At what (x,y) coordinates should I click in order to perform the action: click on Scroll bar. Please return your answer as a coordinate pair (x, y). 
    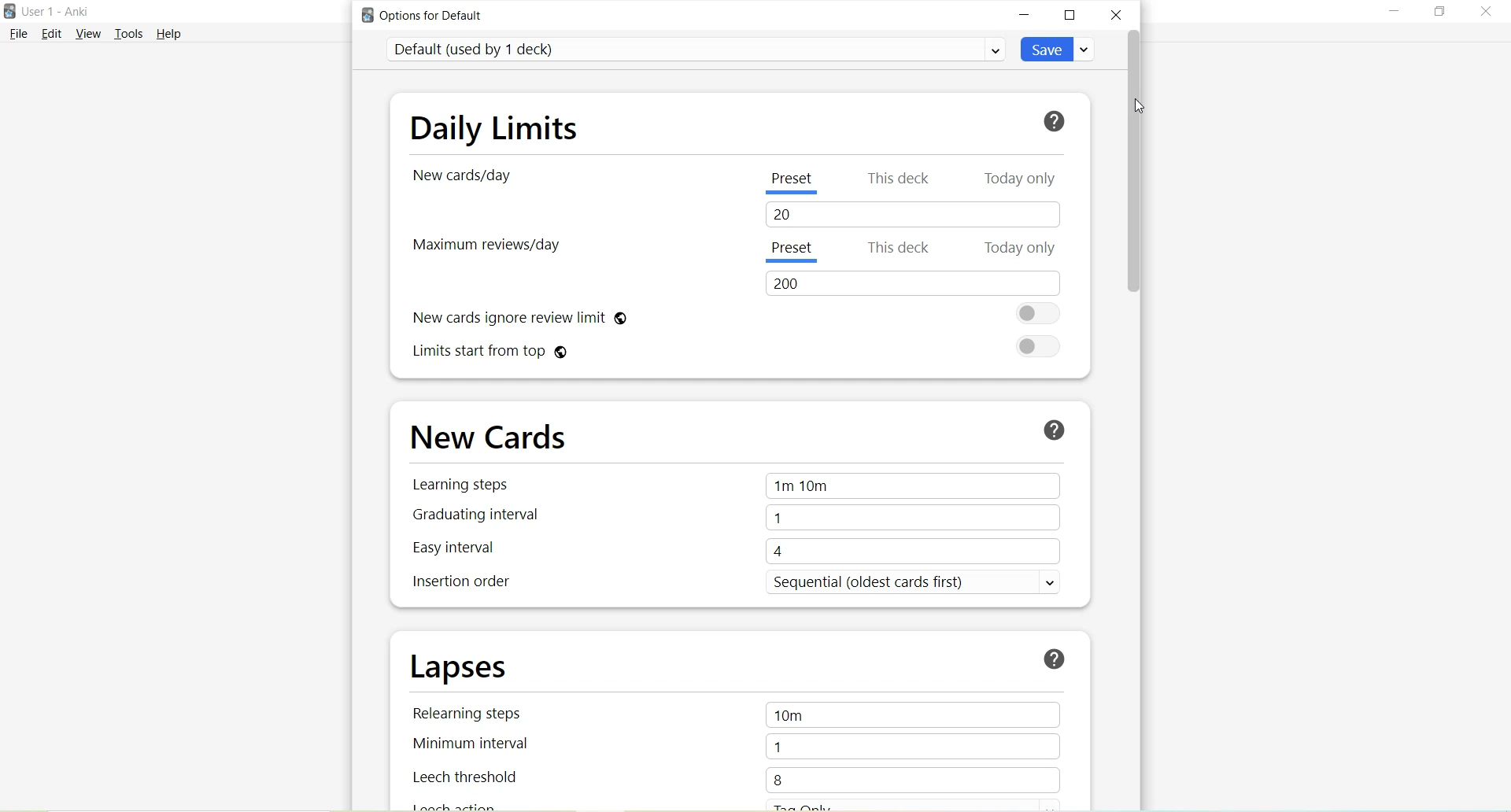
    Looking at the image, I should click on (1135, 160).